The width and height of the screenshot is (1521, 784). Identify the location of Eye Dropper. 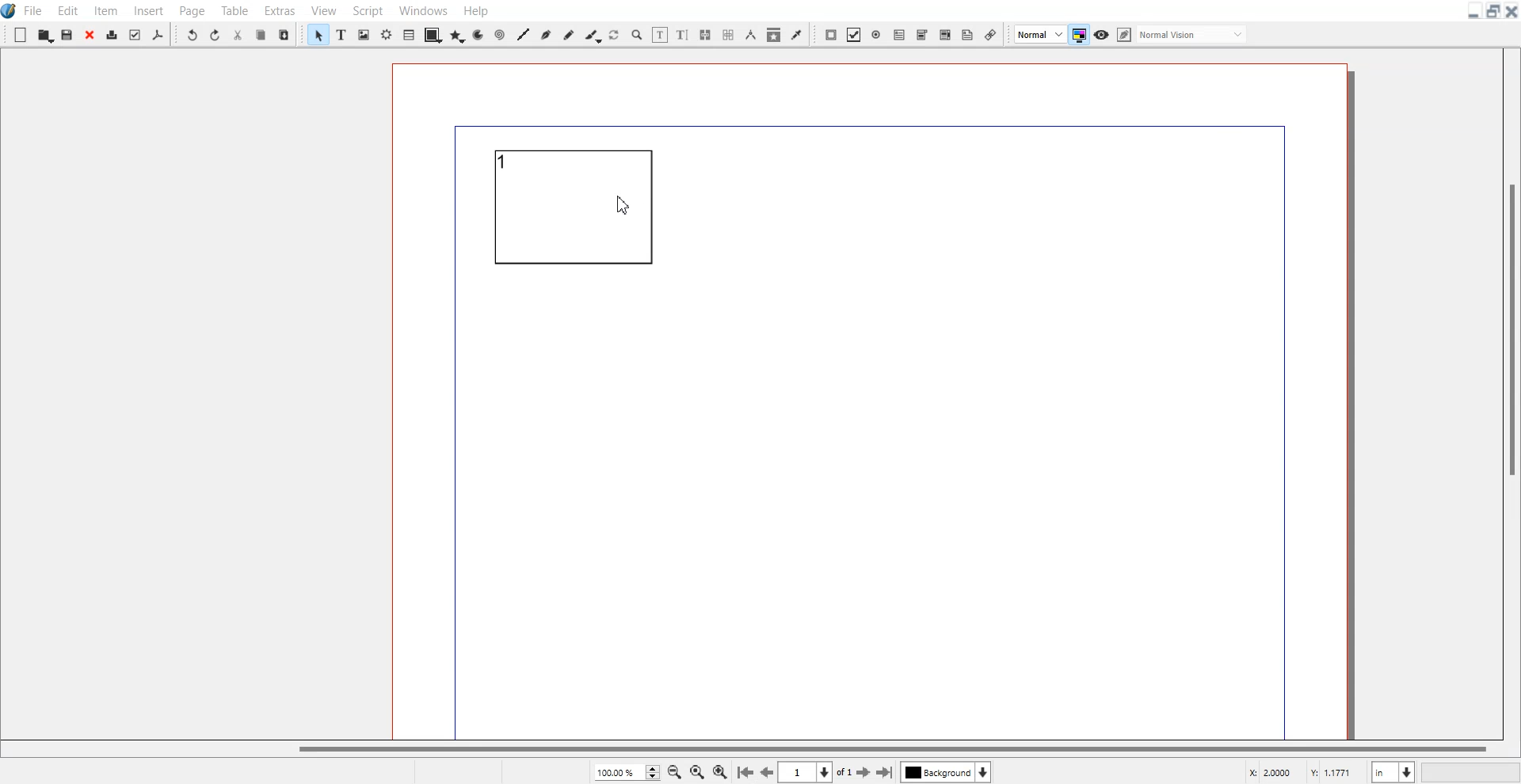
(796, 35).